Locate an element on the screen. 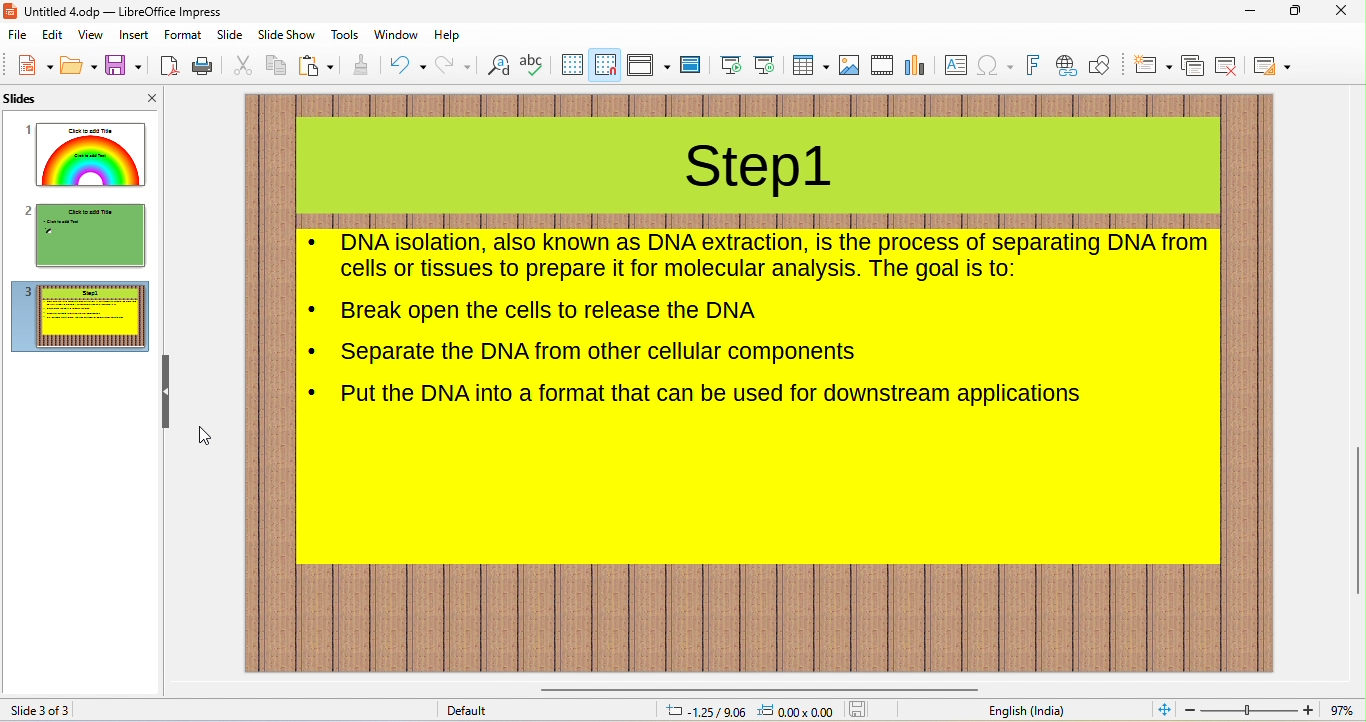 Image resolution: width=1366 pixels, height=722 pixels. export pdf is located at coordinates (170, 66).